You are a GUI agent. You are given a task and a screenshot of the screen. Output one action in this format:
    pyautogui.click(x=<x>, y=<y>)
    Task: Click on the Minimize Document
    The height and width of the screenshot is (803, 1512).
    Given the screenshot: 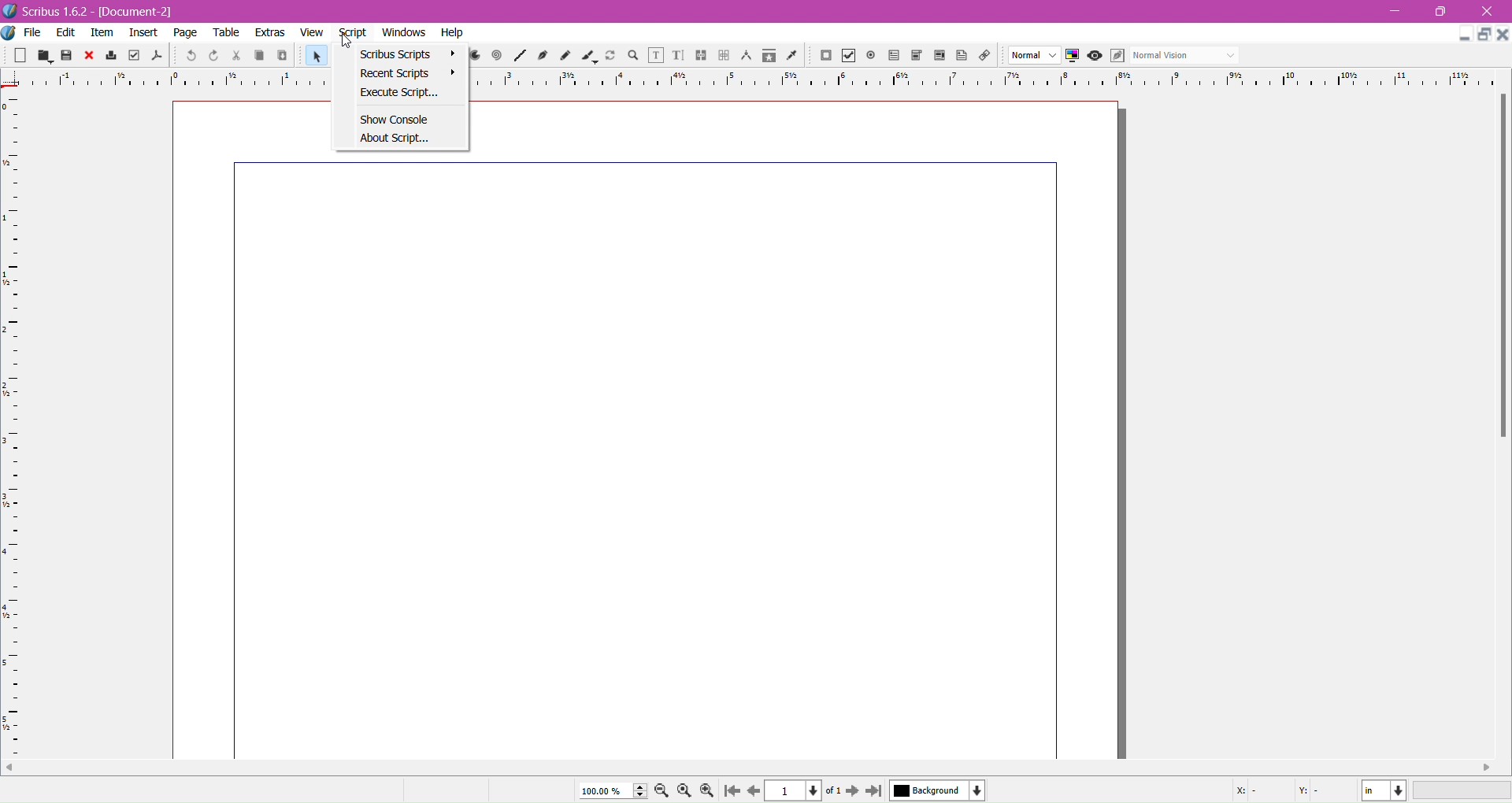 What is the action you would take?
    pyautogui.click(x=1466, y=36)
    